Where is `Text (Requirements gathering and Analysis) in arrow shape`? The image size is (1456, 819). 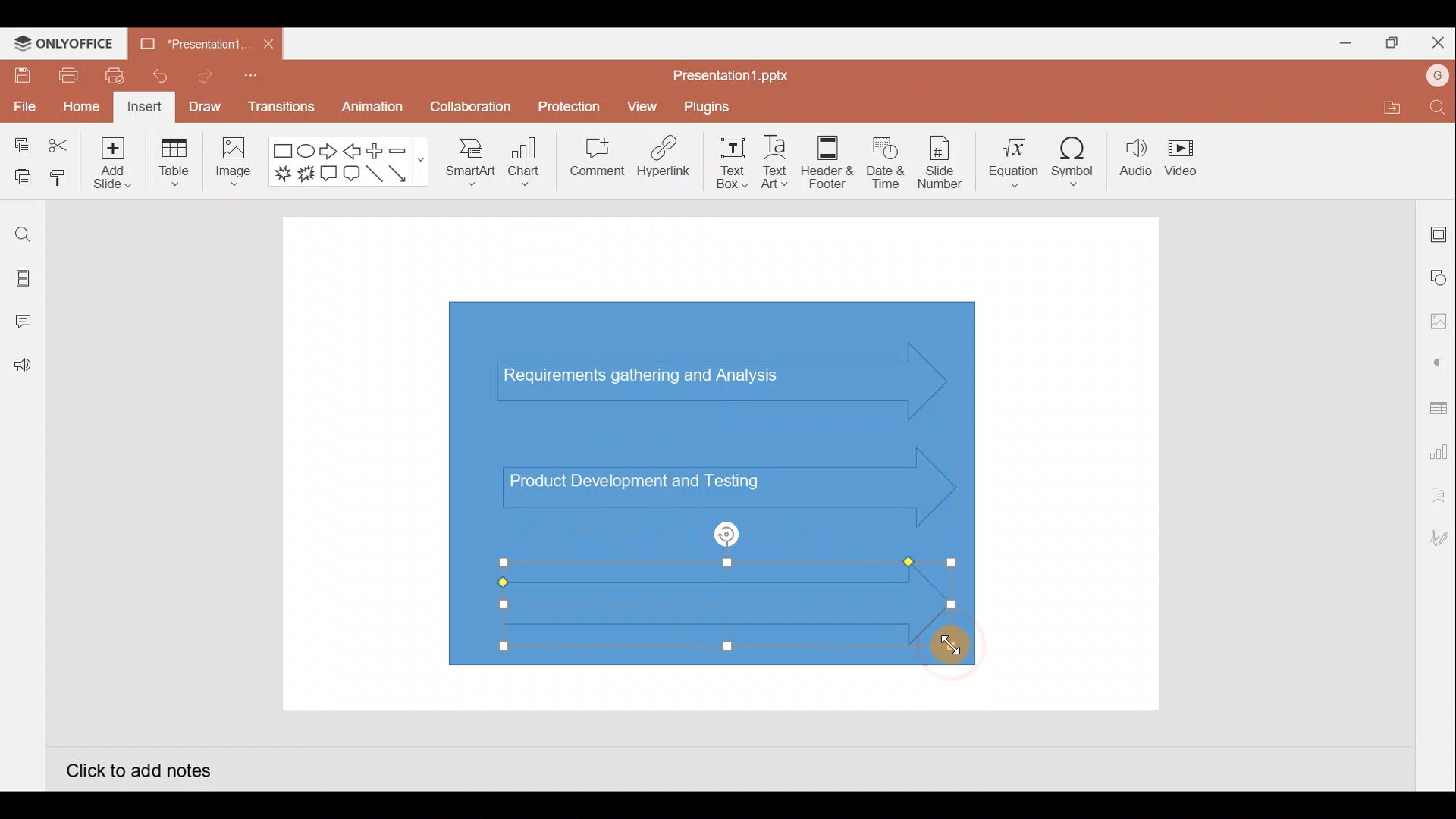 Text (Requirements gathering and Analysis) in arrow shape is located at coordinates (654, 378).